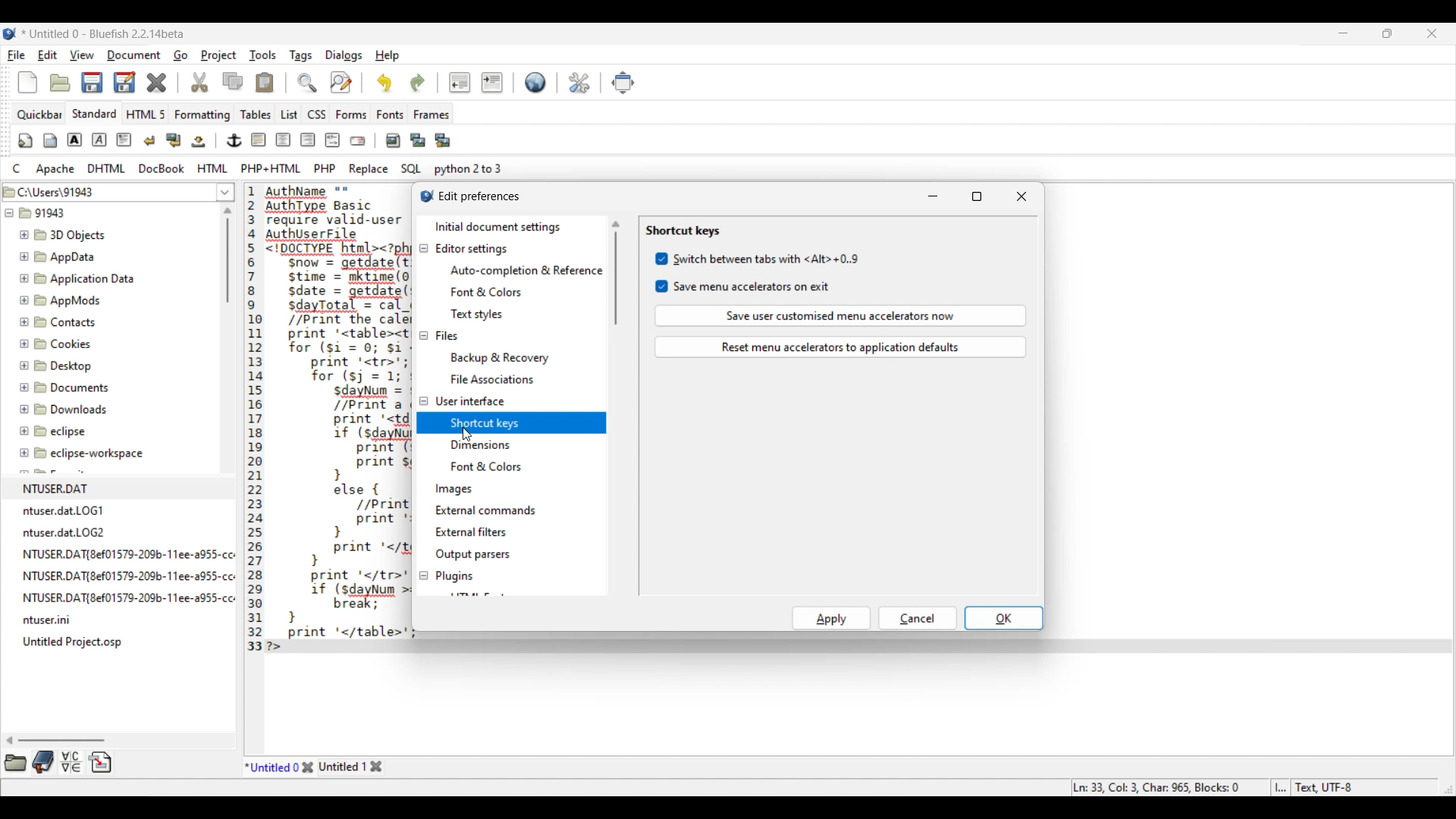  What do you see at coordinates (918, 618) in the screenshot?
I see `Cancel` at bounding box center [918, 618].